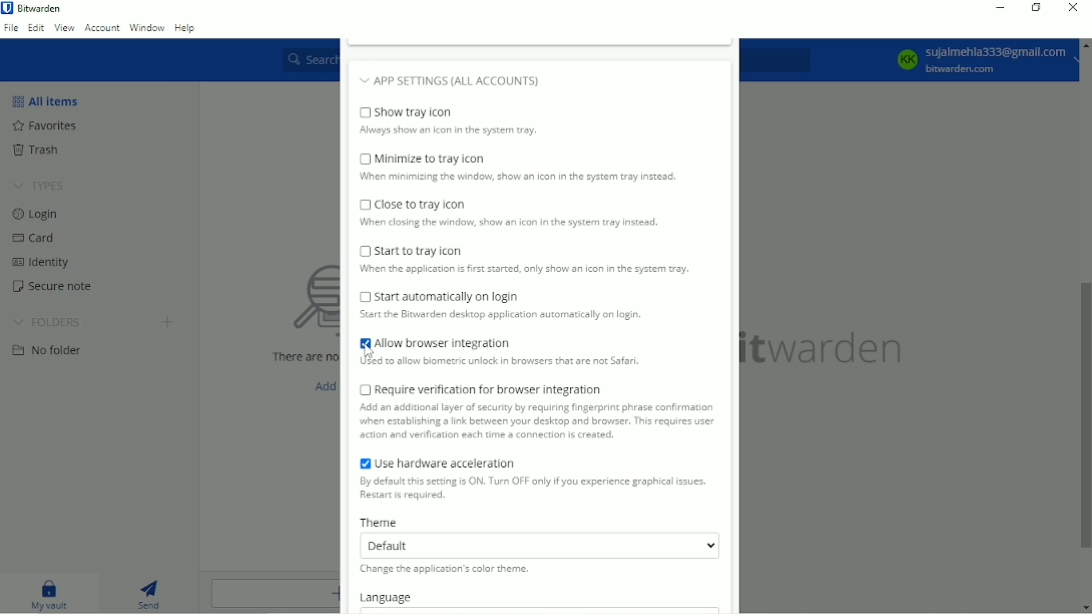  Describe the element at coordinates (414, 251) in the screenshot. I see `Start to tray icon` at that location.